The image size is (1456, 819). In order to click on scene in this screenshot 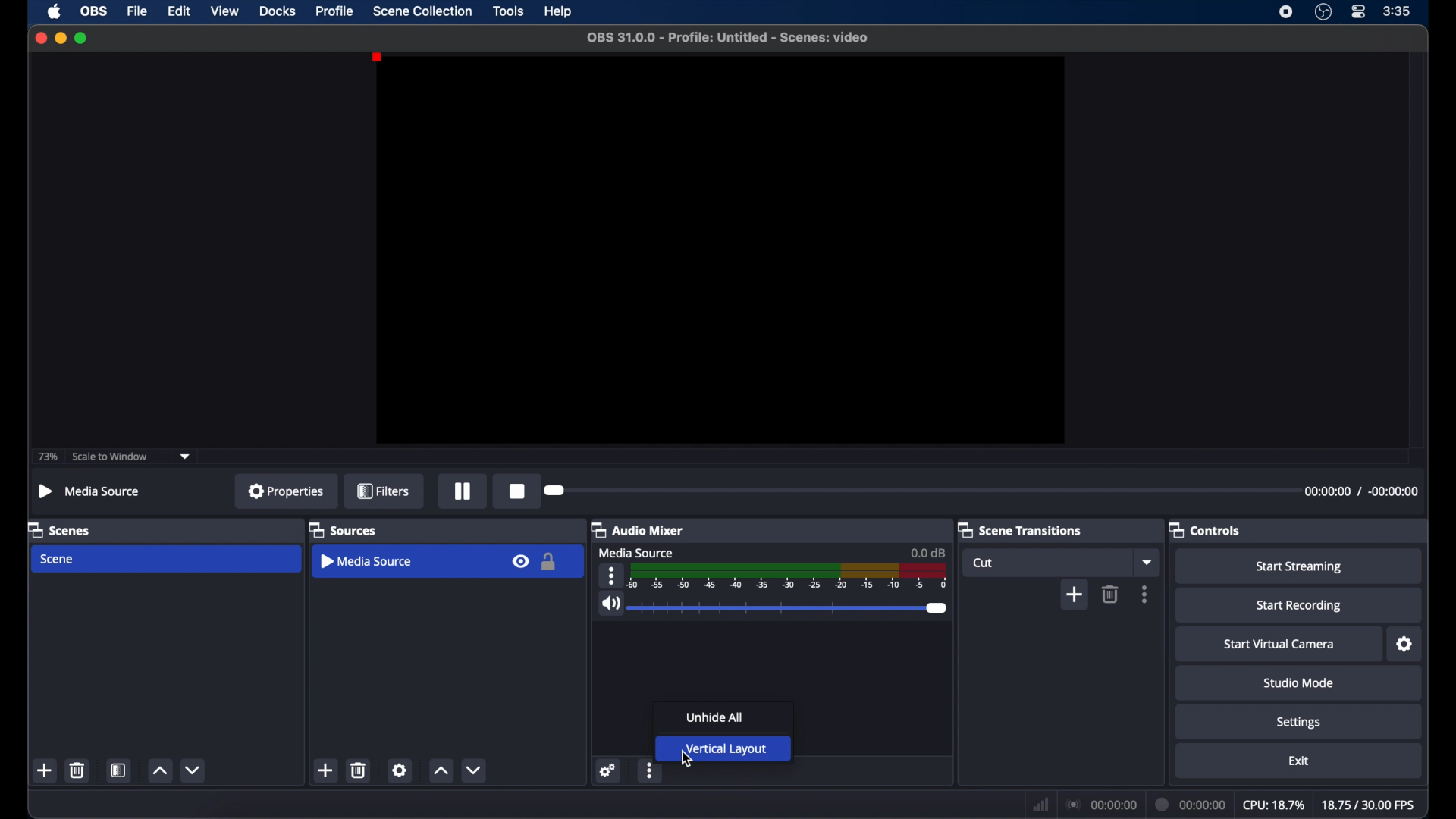, I will do `click(58, 559)`.